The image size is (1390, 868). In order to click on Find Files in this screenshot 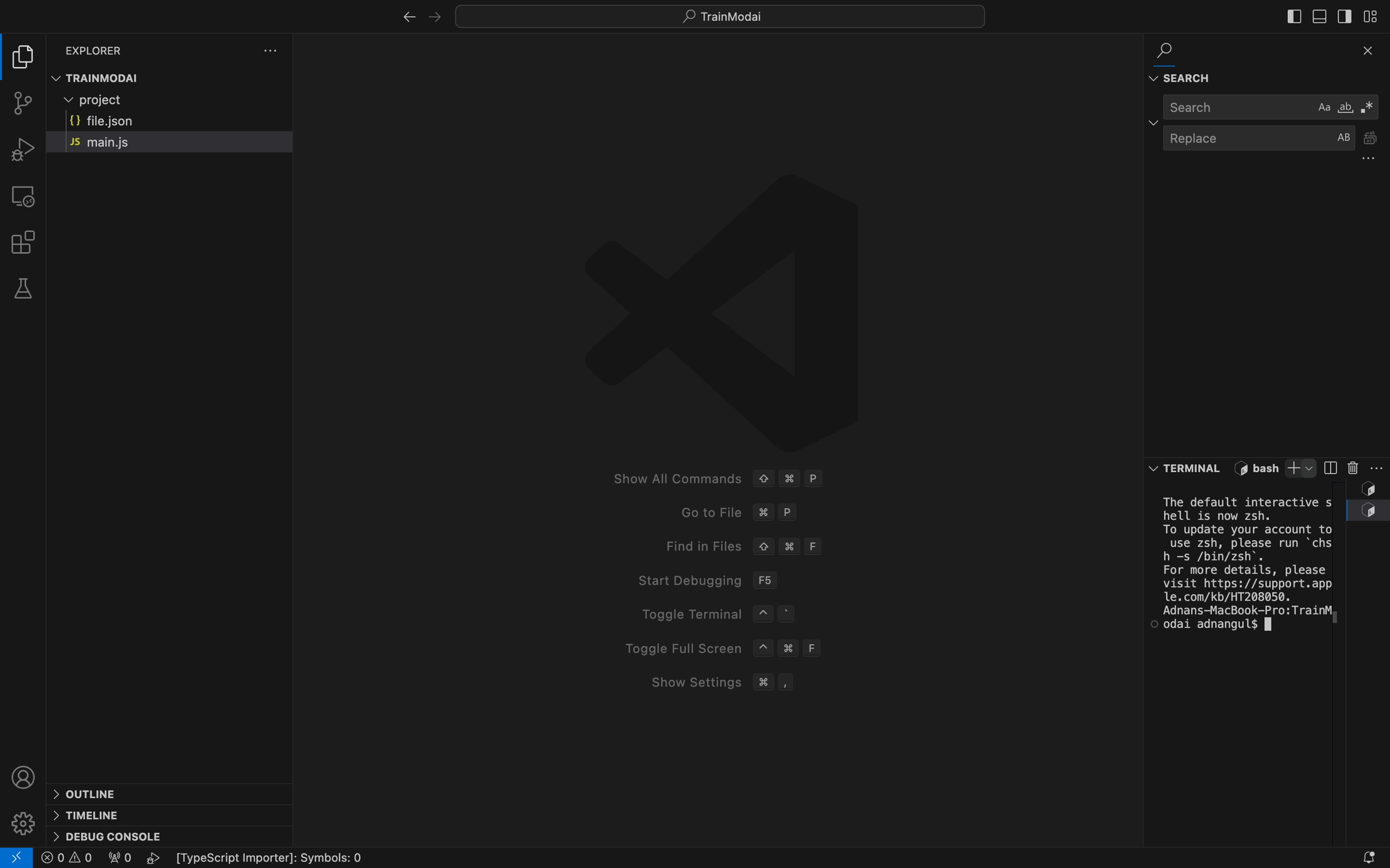, I will do `click(805, 545)`.